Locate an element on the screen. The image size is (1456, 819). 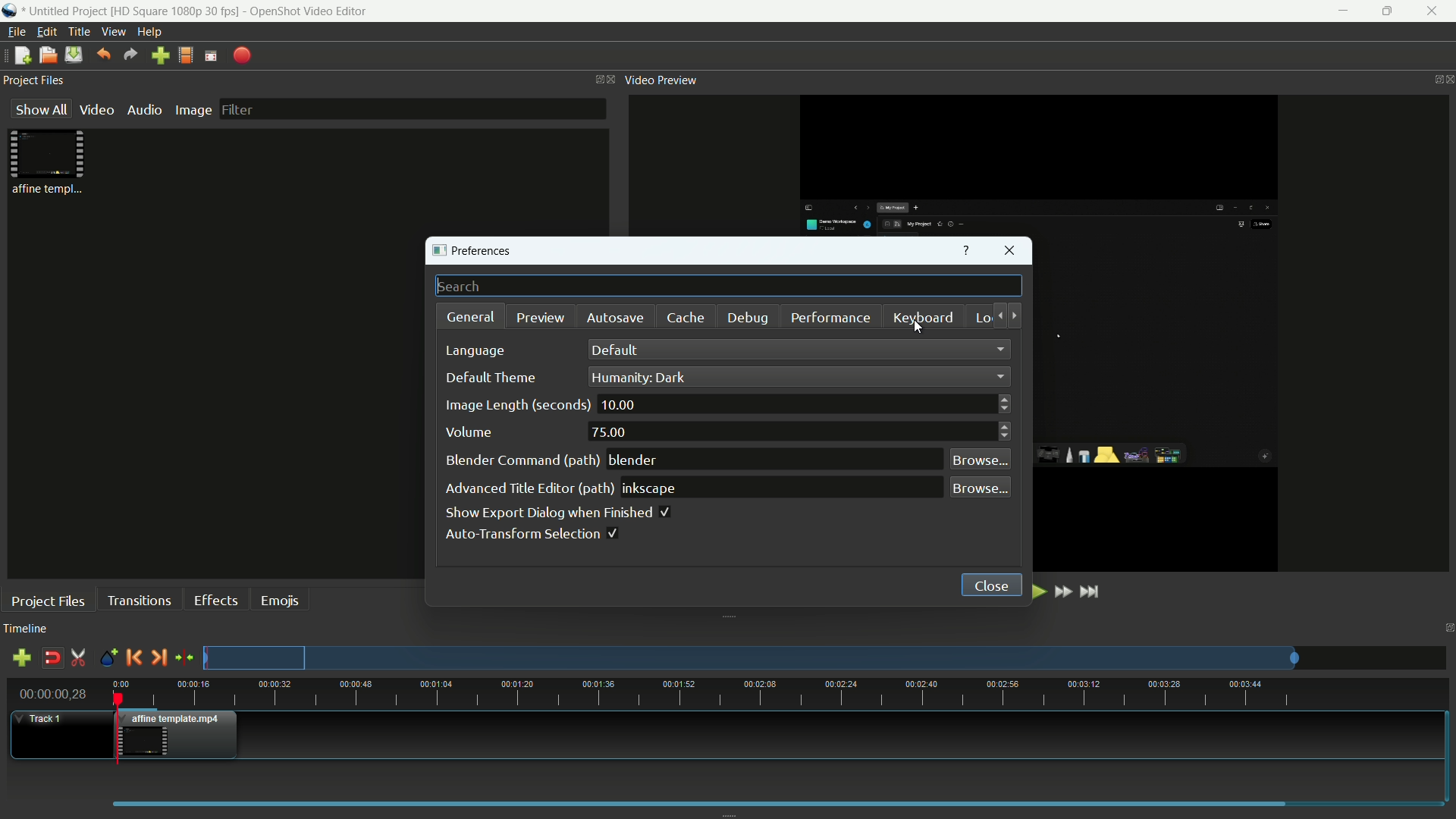
current time is located at coordinates (55, 693).